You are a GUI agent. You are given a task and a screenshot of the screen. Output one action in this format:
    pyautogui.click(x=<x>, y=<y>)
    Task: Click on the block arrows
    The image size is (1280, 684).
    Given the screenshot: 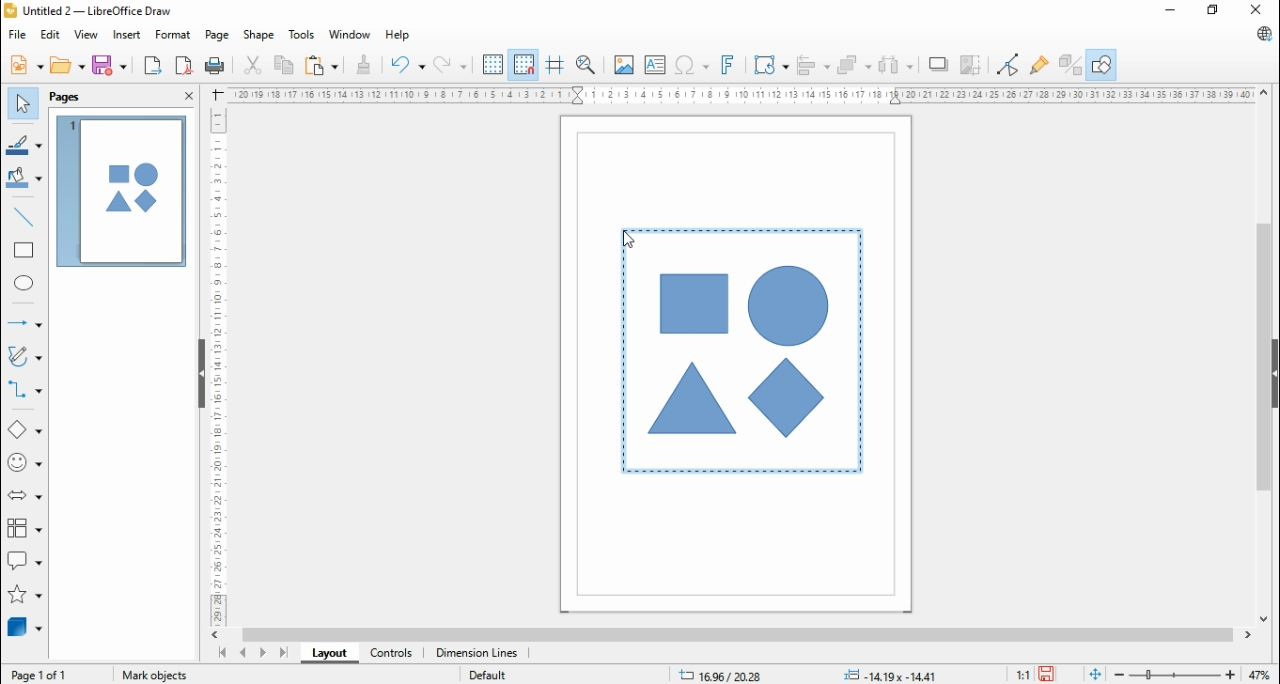 What is the action you would take?
    pyautogui.click(x=25, y=495)
    